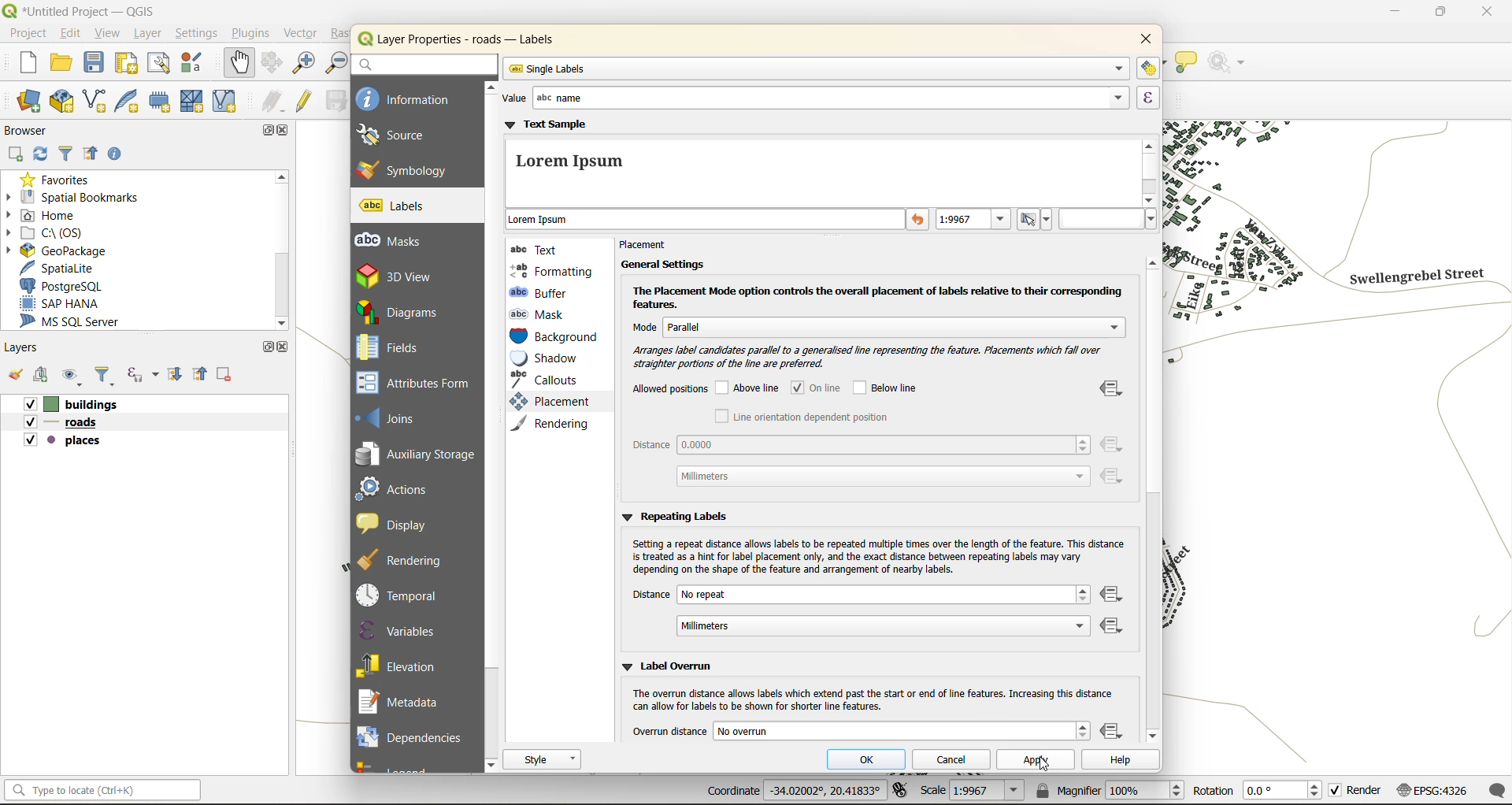  I want to click on fields, so click(389, 347).